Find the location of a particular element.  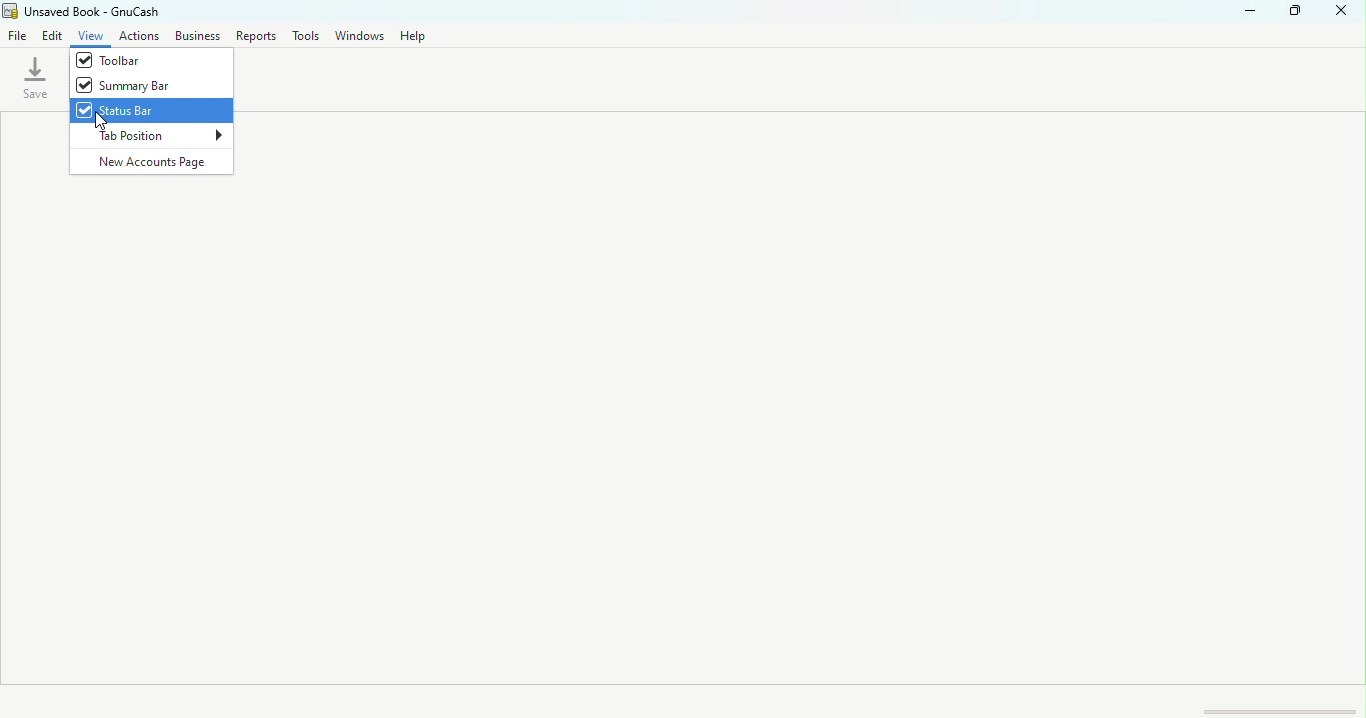

Tab position is located at coordinates (154, 135).